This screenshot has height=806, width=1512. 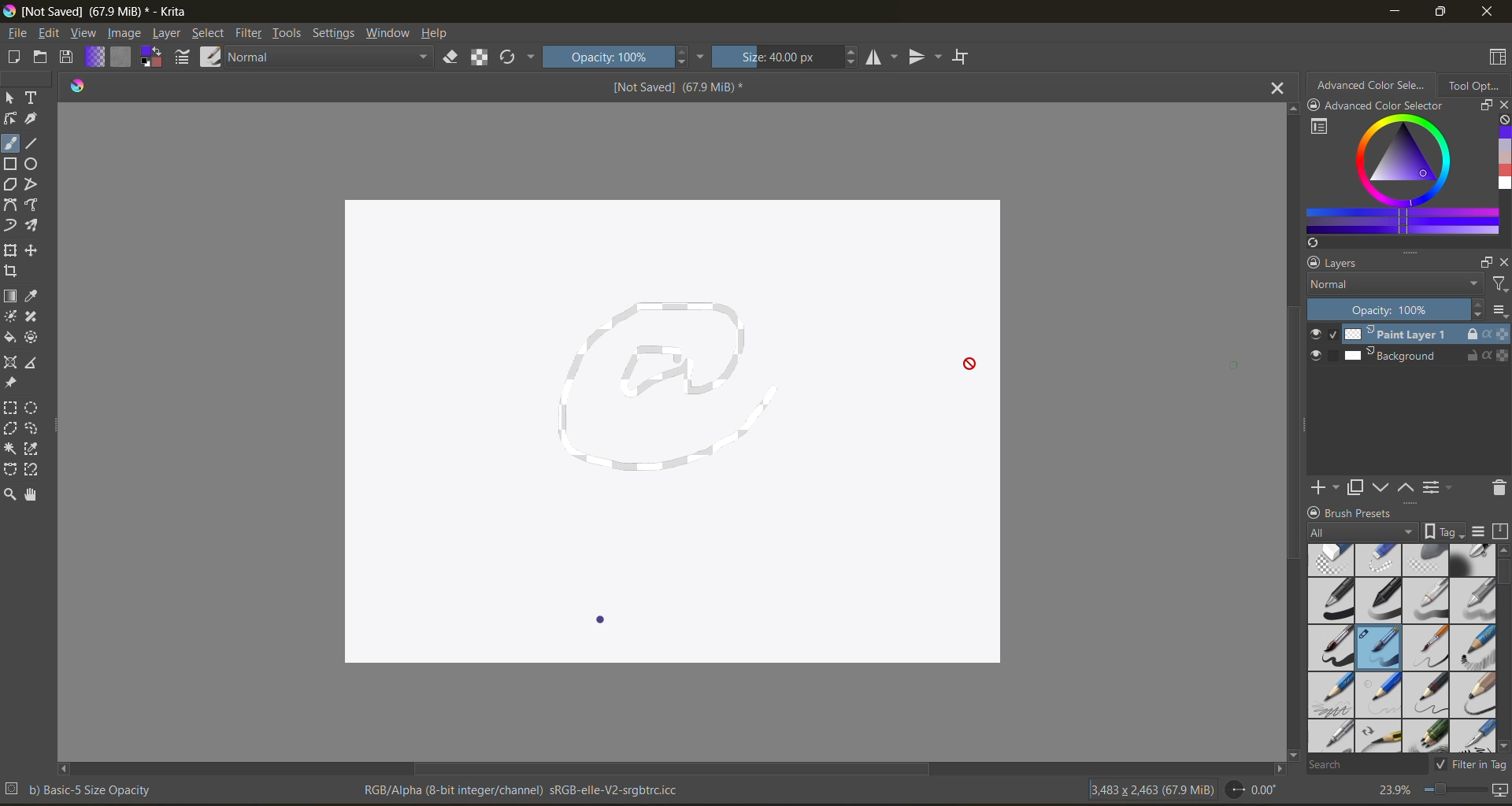 What do you see at coordinates (1325, 488) in the screenshot?
I see `create` at bounding box center [1325, 488].